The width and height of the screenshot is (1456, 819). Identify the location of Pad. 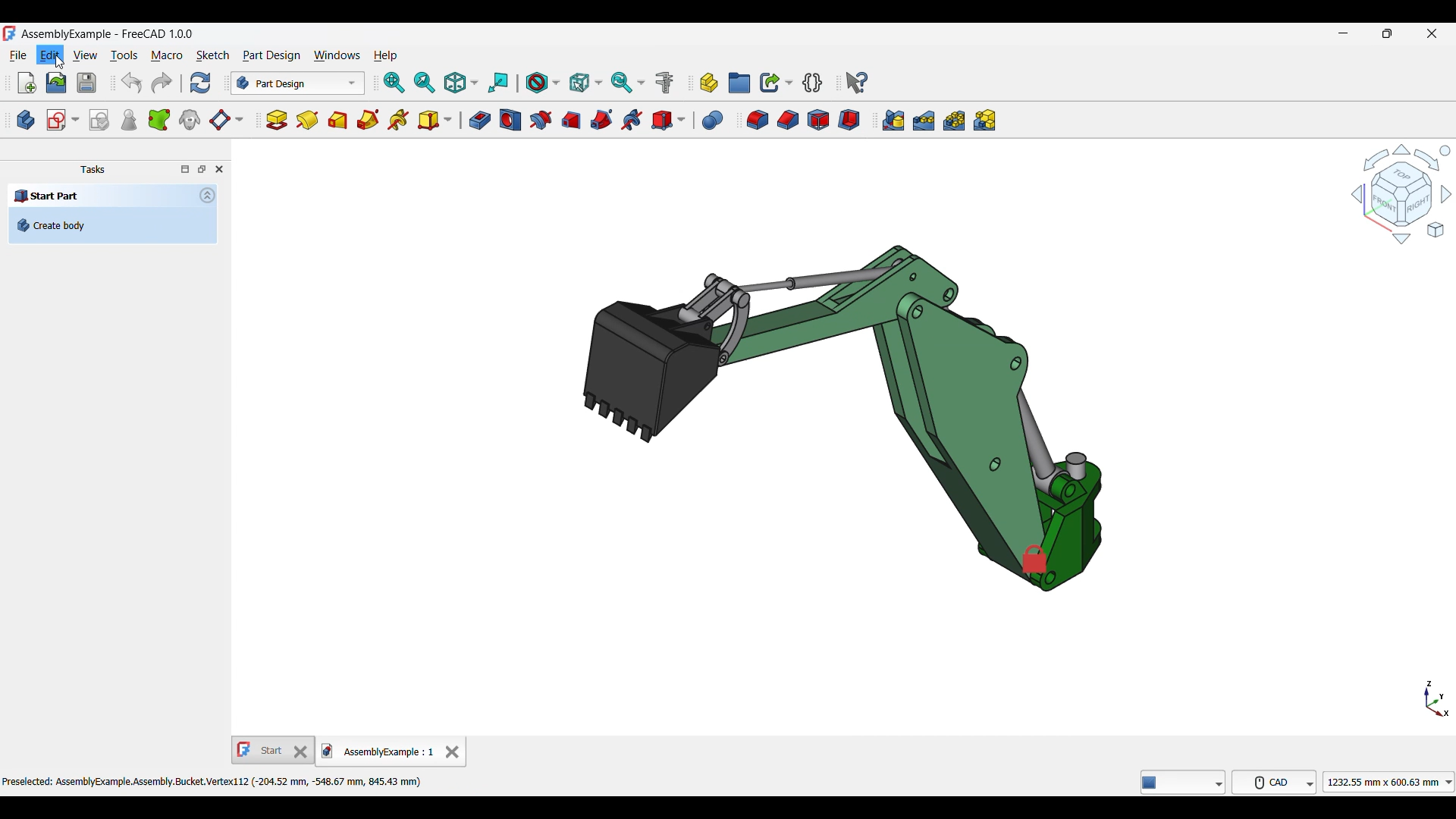
(277, 120).